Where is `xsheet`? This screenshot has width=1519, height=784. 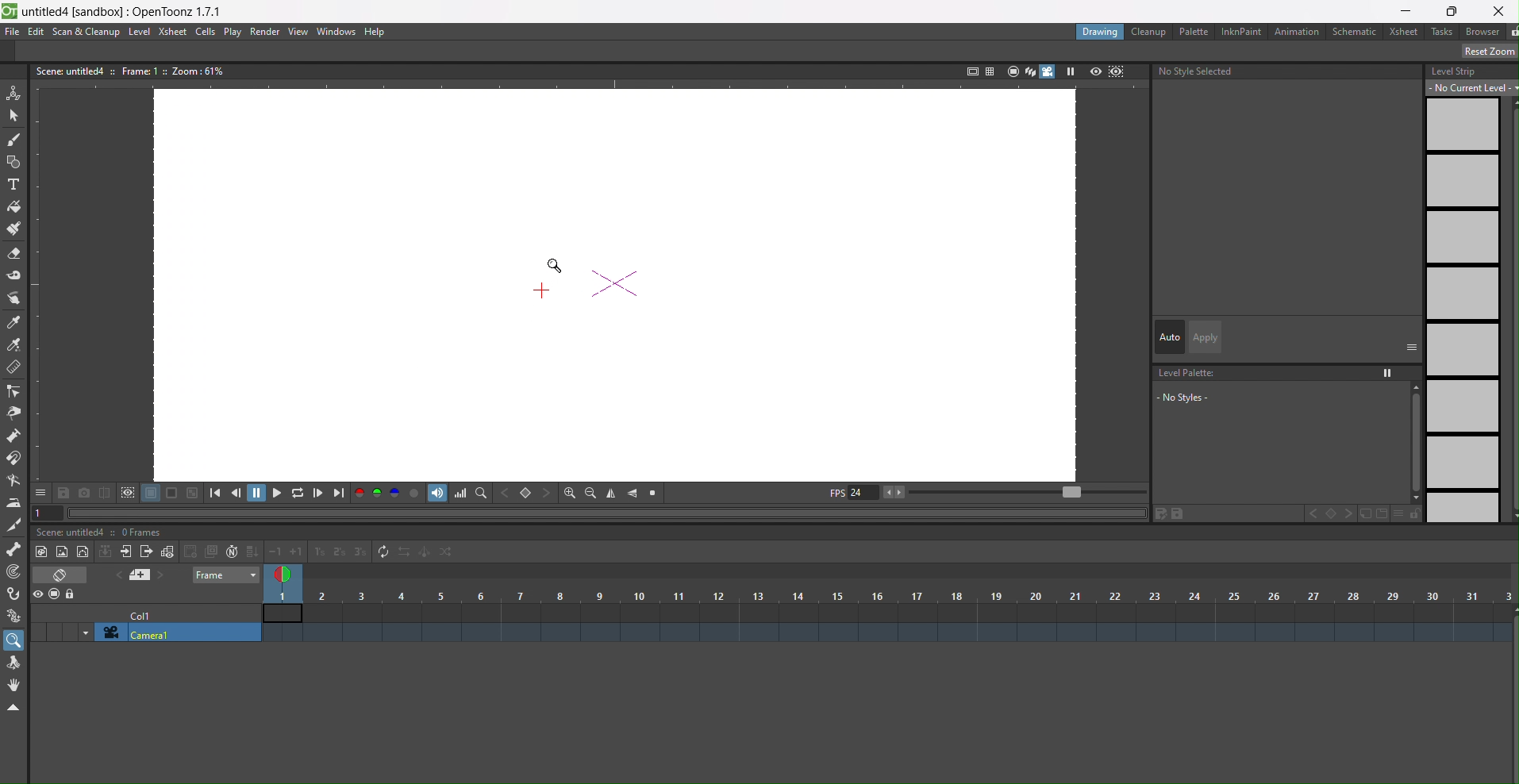
xsheet is located at coordinates (1405, 32).